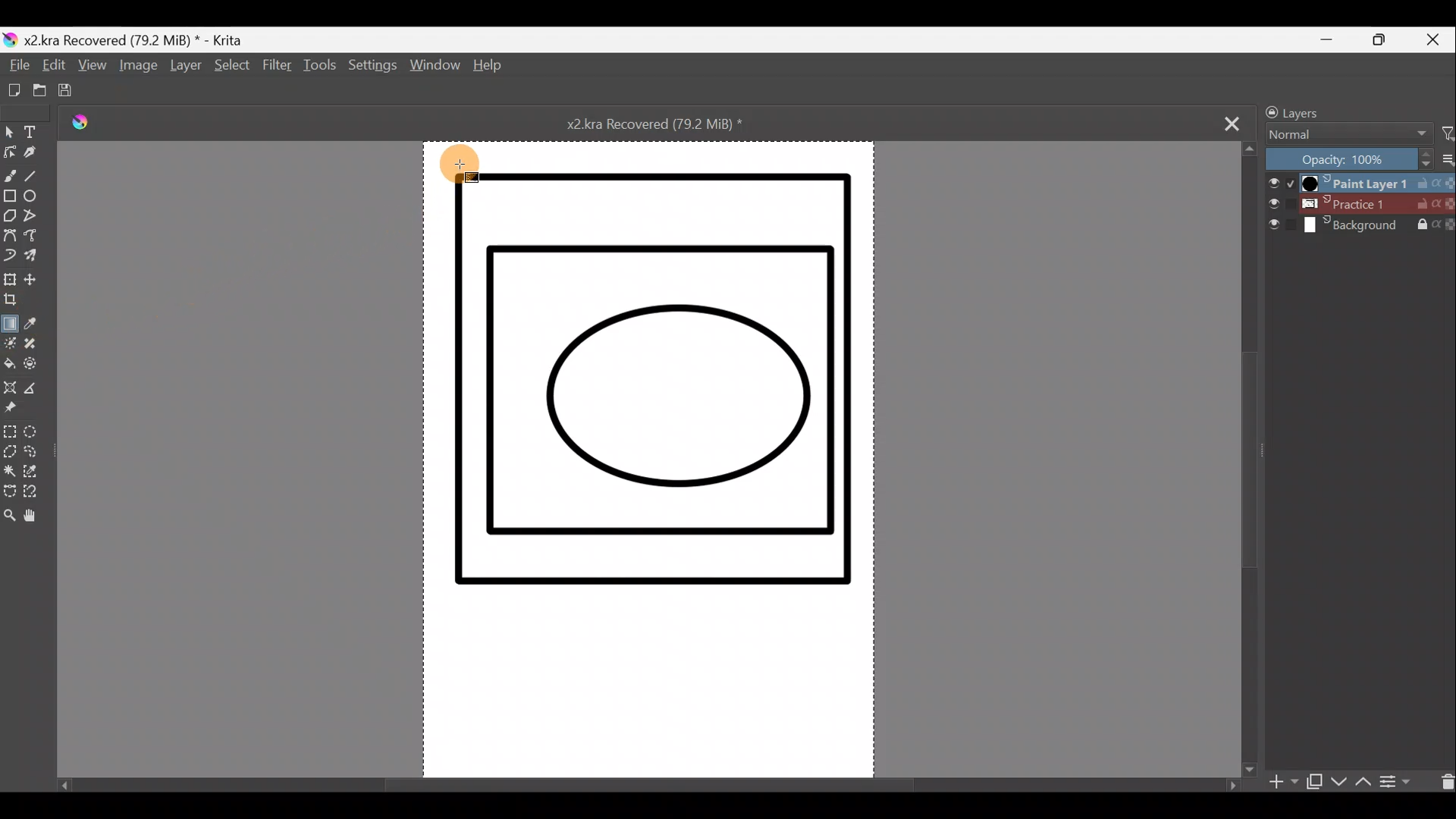  Describe the element at coordinates (93, 69) in the screenshot. I see `View` at that location.